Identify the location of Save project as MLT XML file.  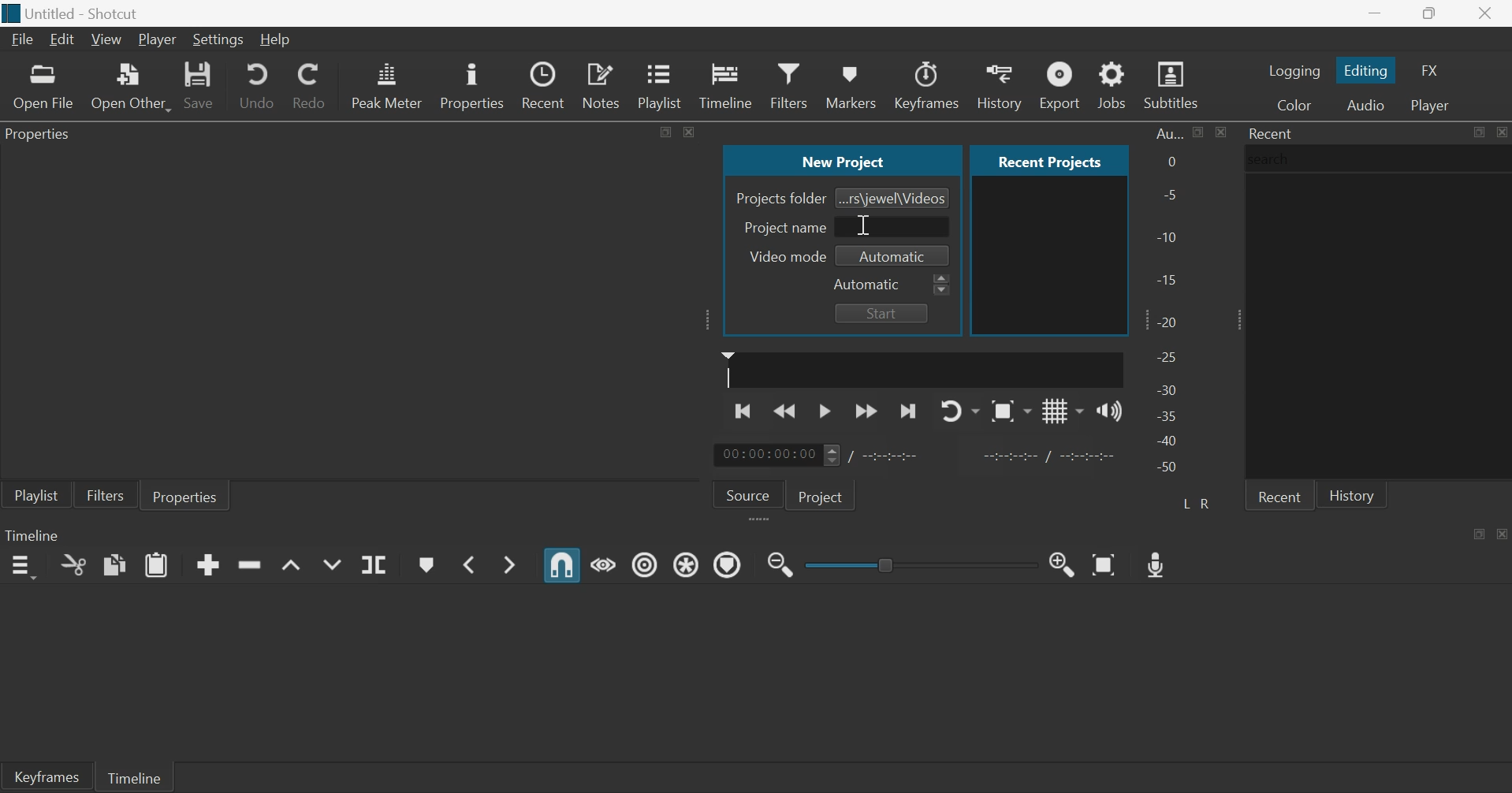
(200, 85).